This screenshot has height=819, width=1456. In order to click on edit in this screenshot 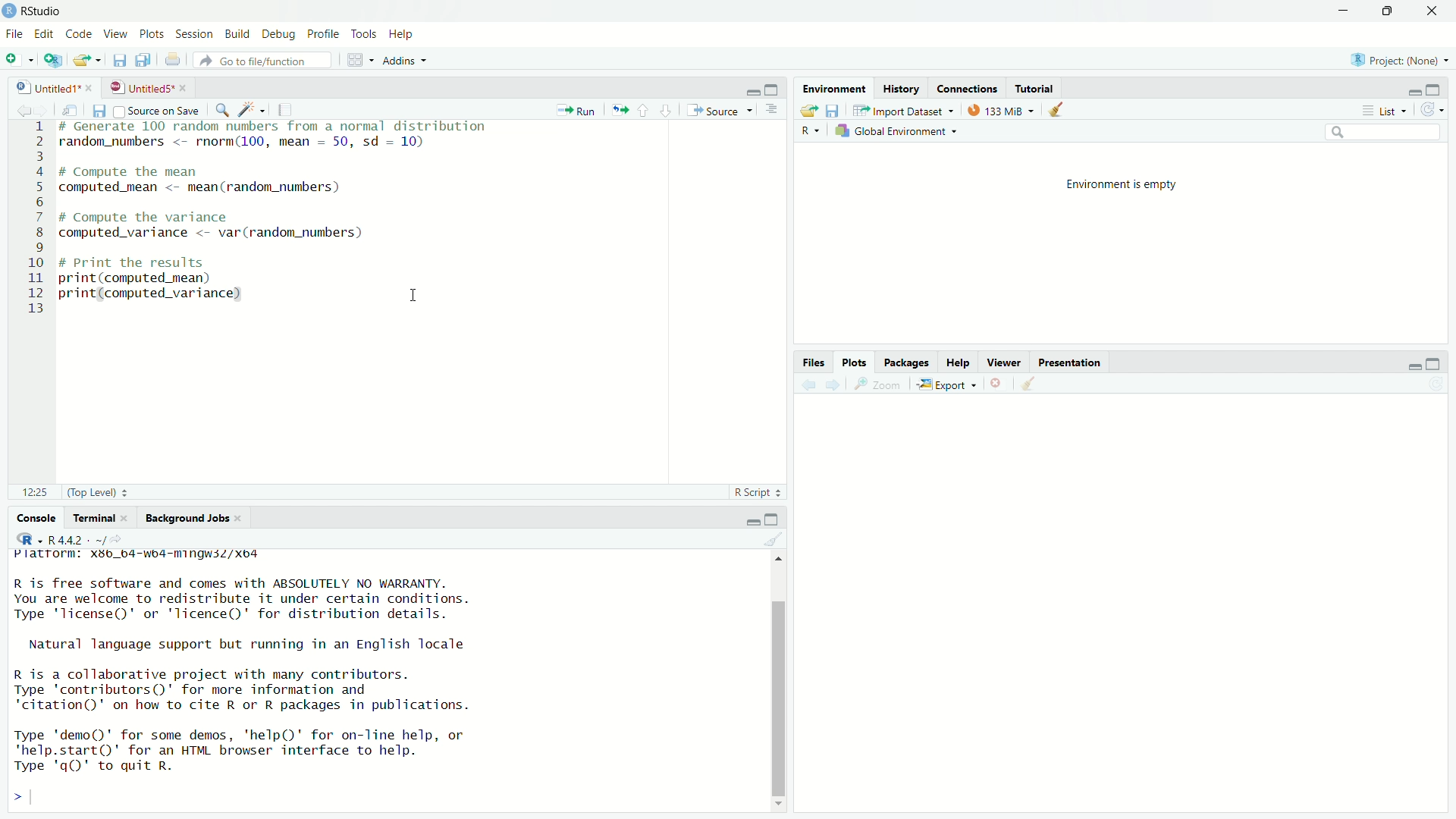, I will do `click(43, 35)`.